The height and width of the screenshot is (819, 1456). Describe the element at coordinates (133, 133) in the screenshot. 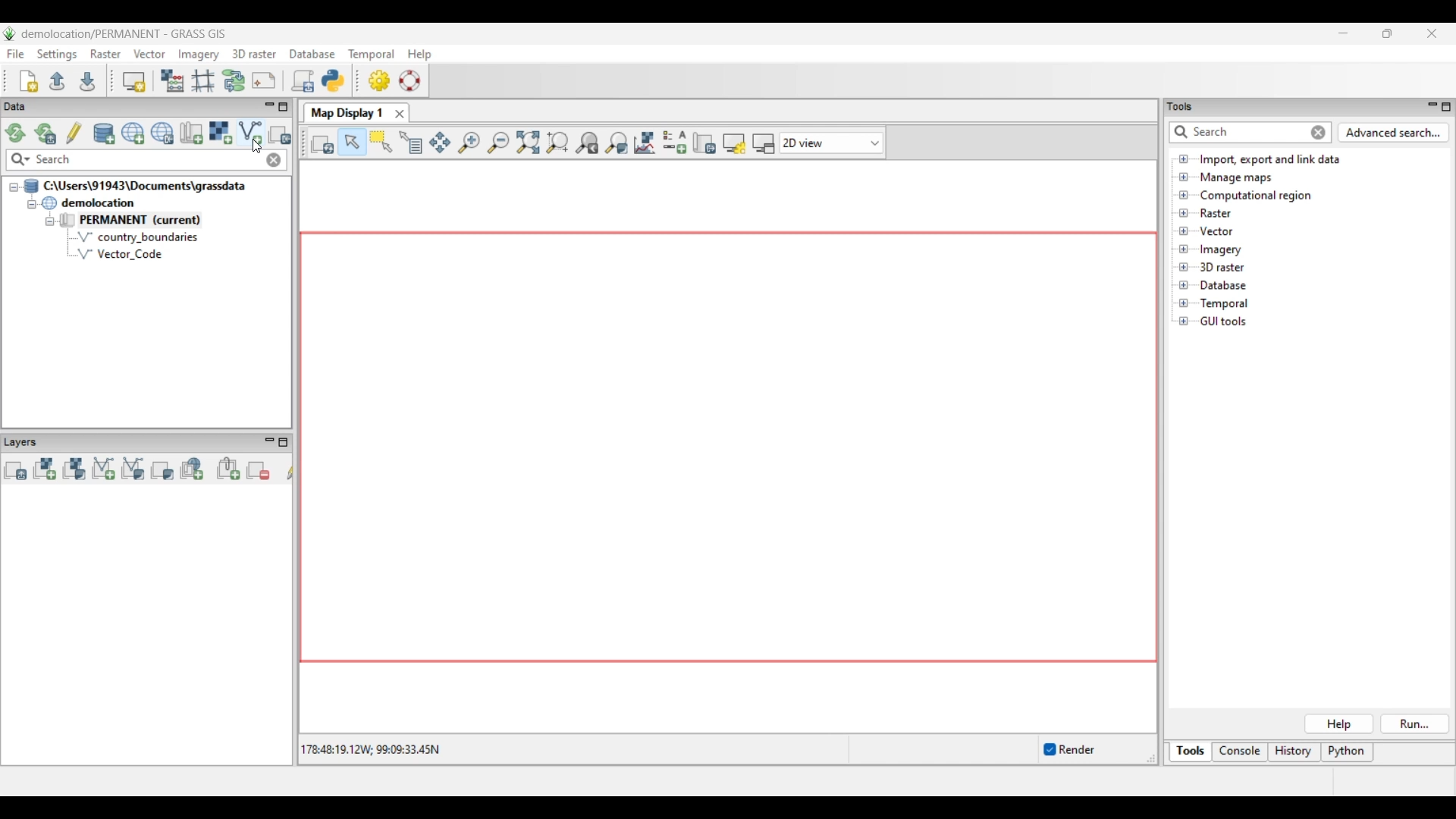

I see `Create new project (location) to current GRASS database` at that location.